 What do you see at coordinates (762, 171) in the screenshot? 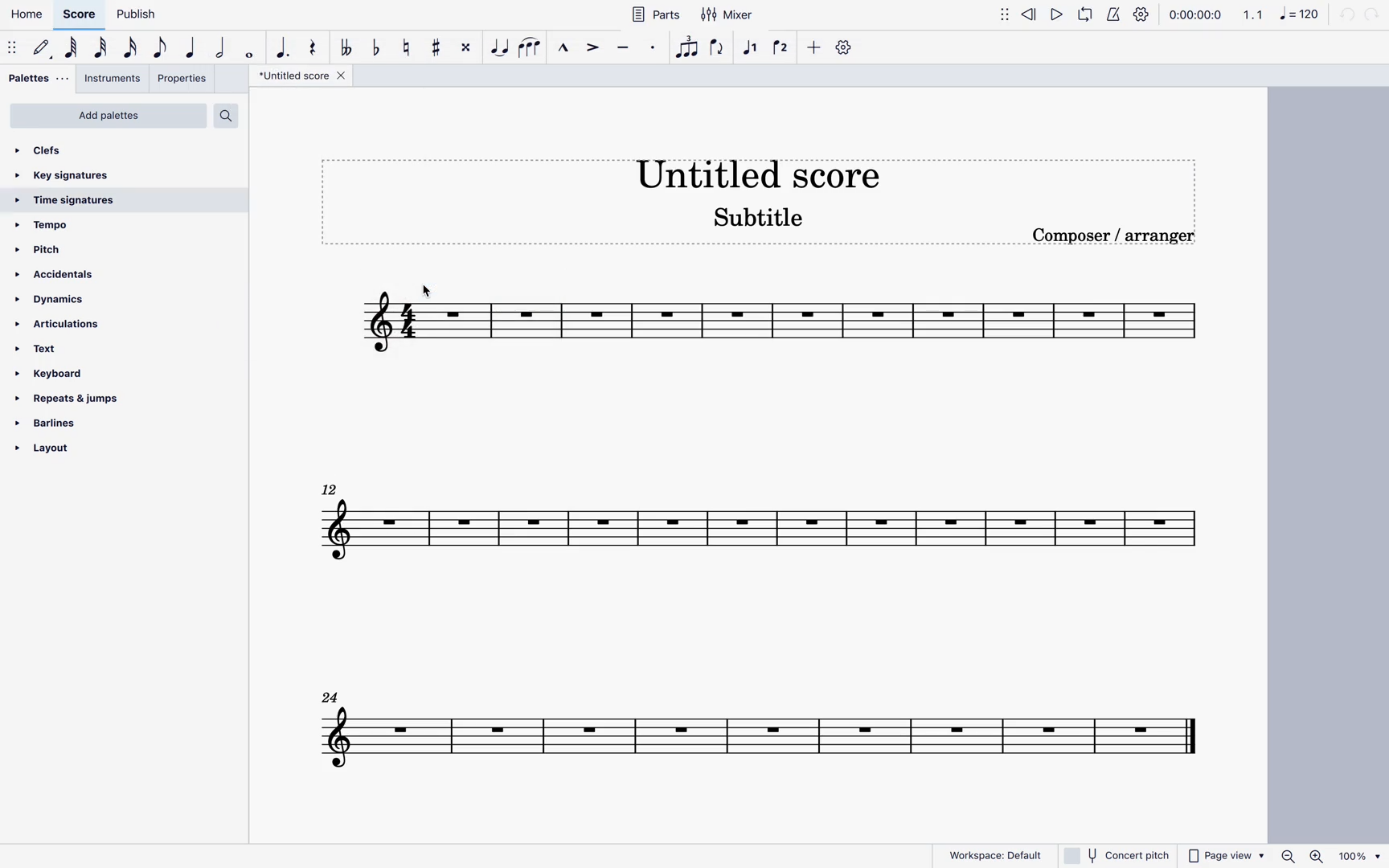
I see `score title` at bounding box center [762, 171].